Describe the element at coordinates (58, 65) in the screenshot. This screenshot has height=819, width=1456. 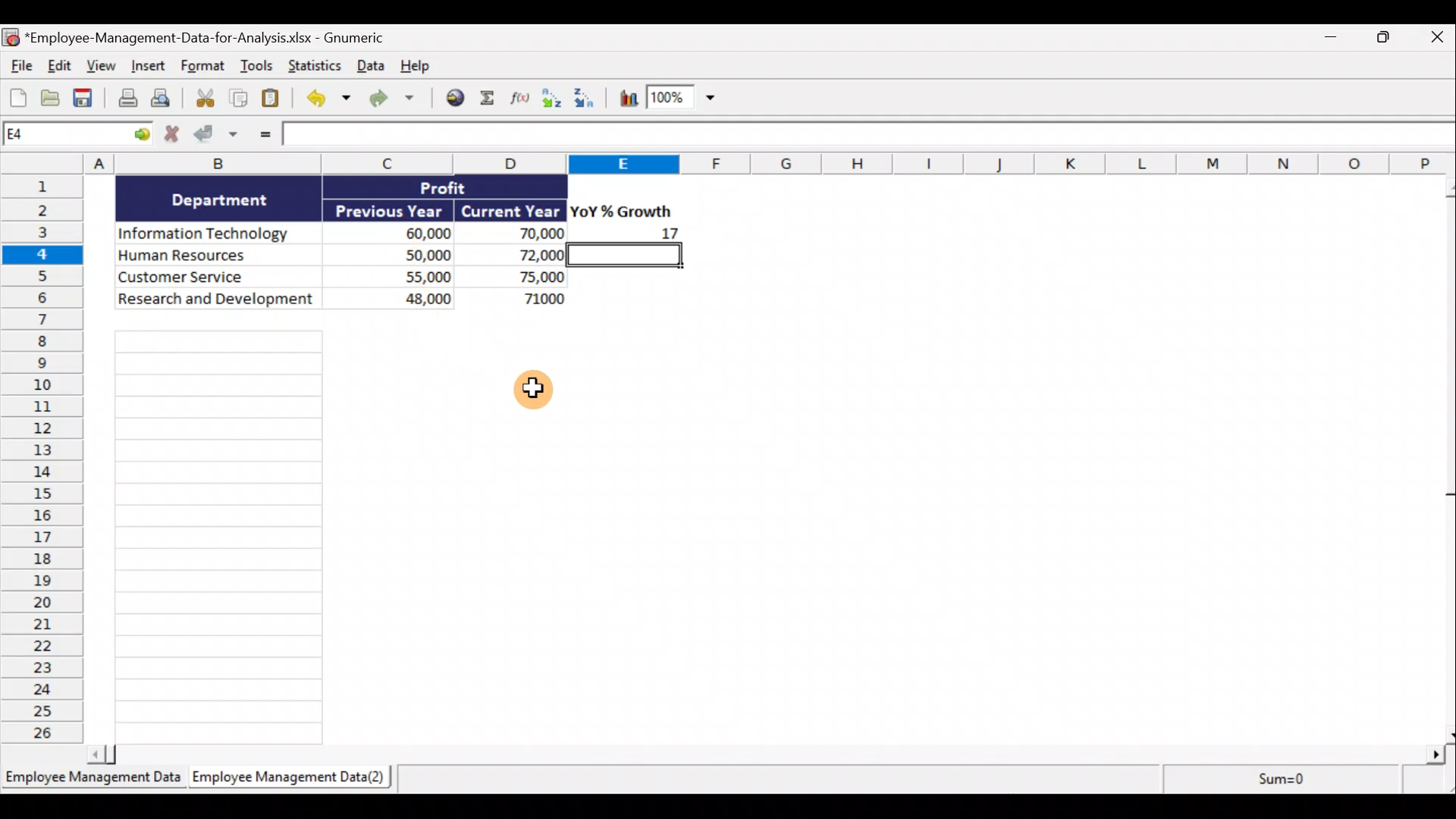
I see `Edit` at that location.